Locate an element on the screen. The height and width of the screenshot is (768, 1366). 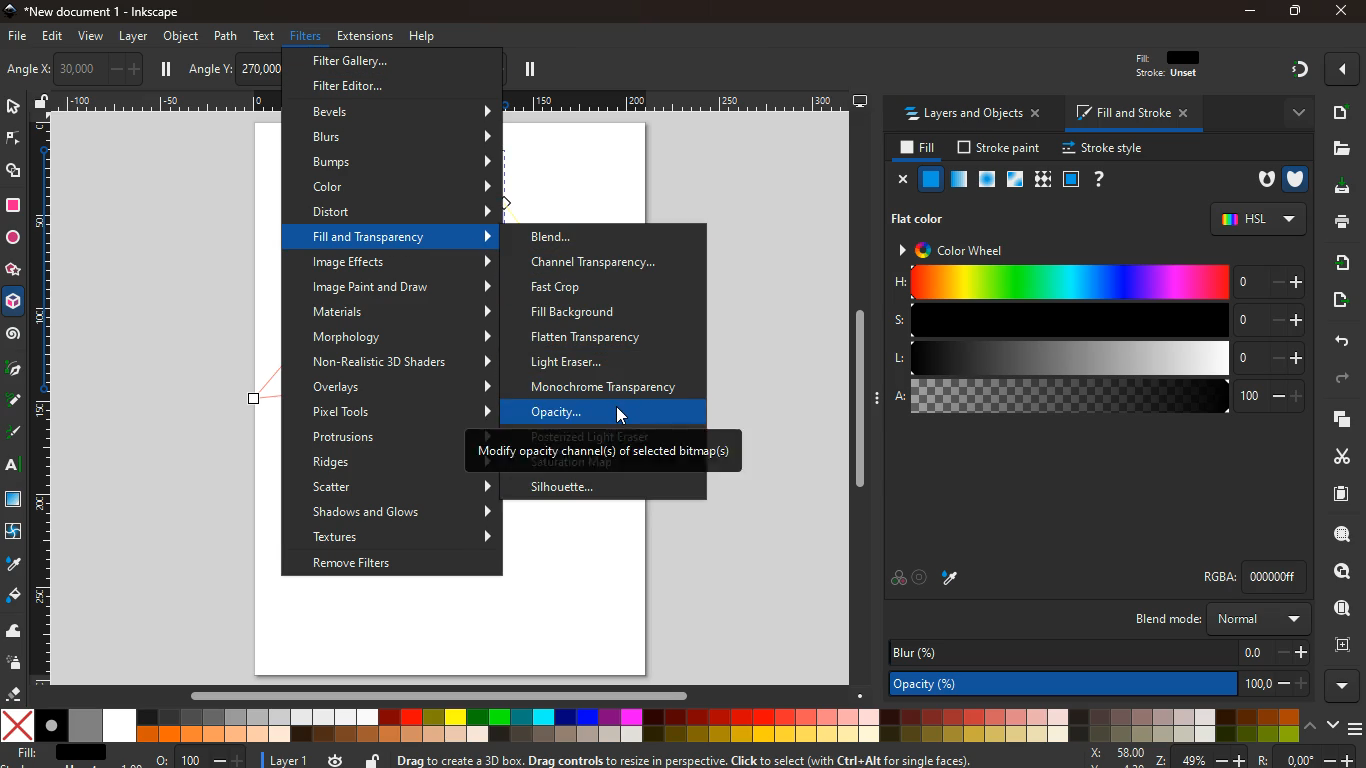
layer is located at coordinates (133, 36).